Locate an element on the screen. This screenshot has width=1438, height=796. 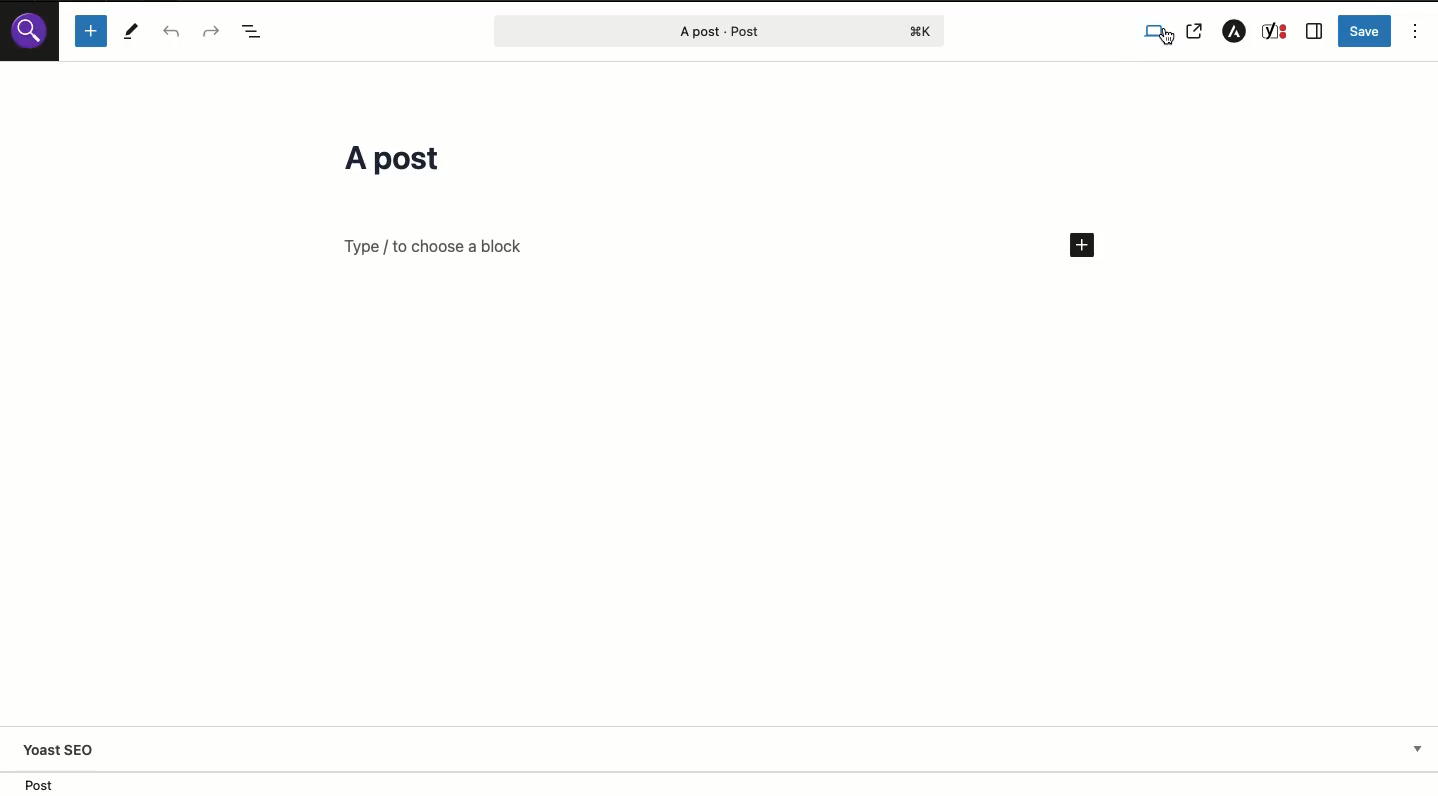
Tools is located at coordinates (130, 32).